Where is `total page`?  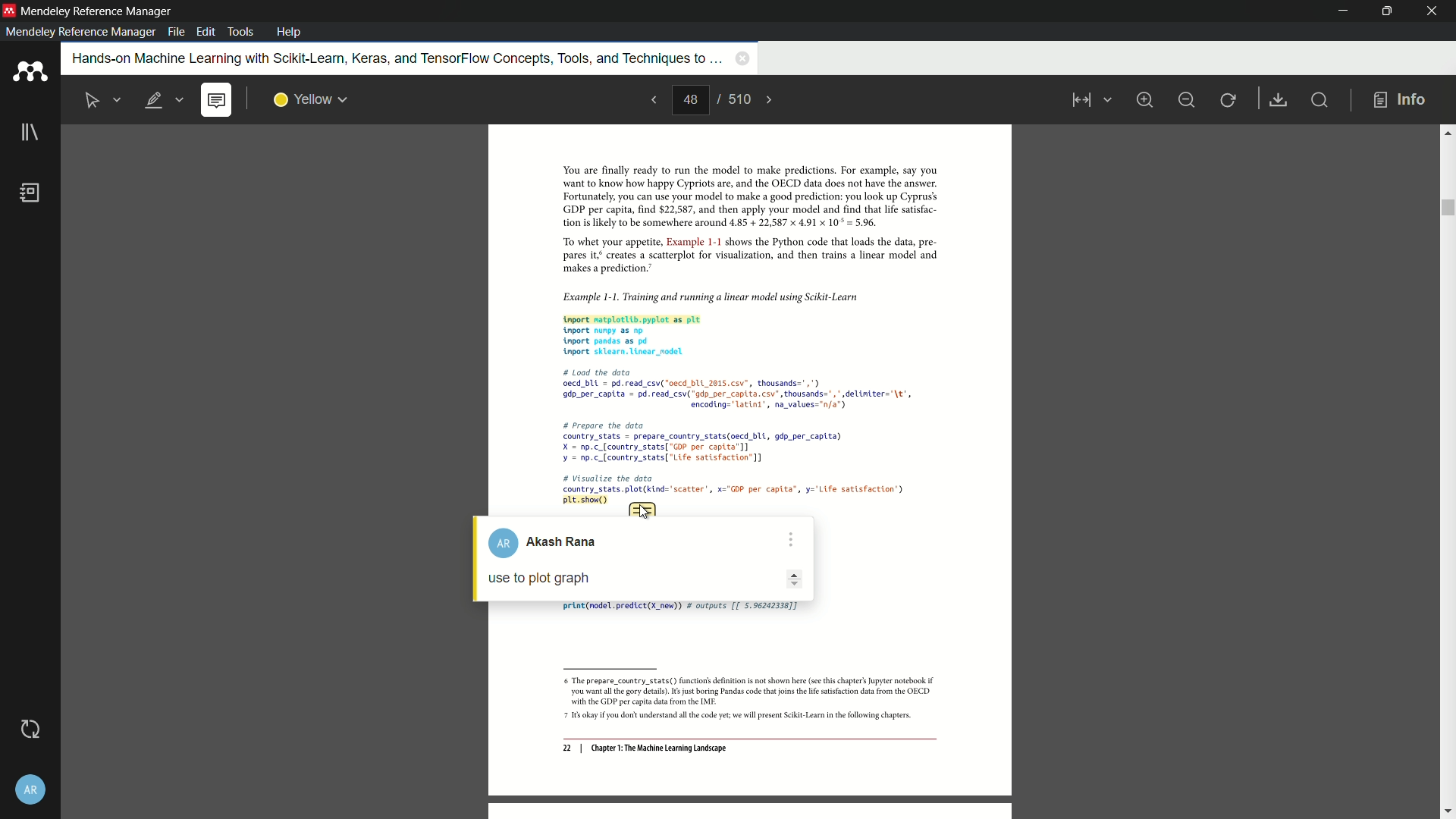
total page is located at coordinates (738, 99).